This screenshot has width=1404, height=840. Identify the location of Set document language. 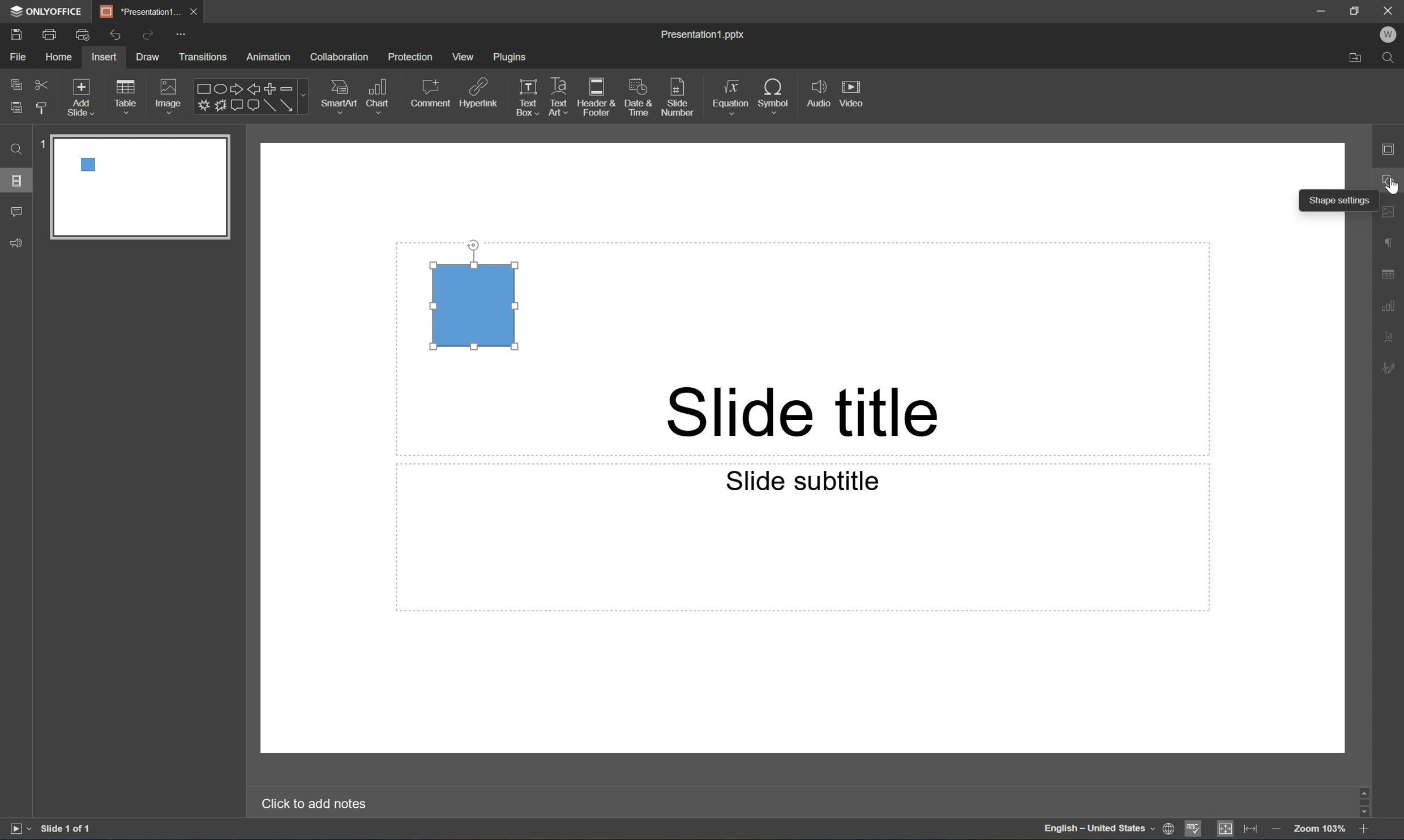
(1169, 830).